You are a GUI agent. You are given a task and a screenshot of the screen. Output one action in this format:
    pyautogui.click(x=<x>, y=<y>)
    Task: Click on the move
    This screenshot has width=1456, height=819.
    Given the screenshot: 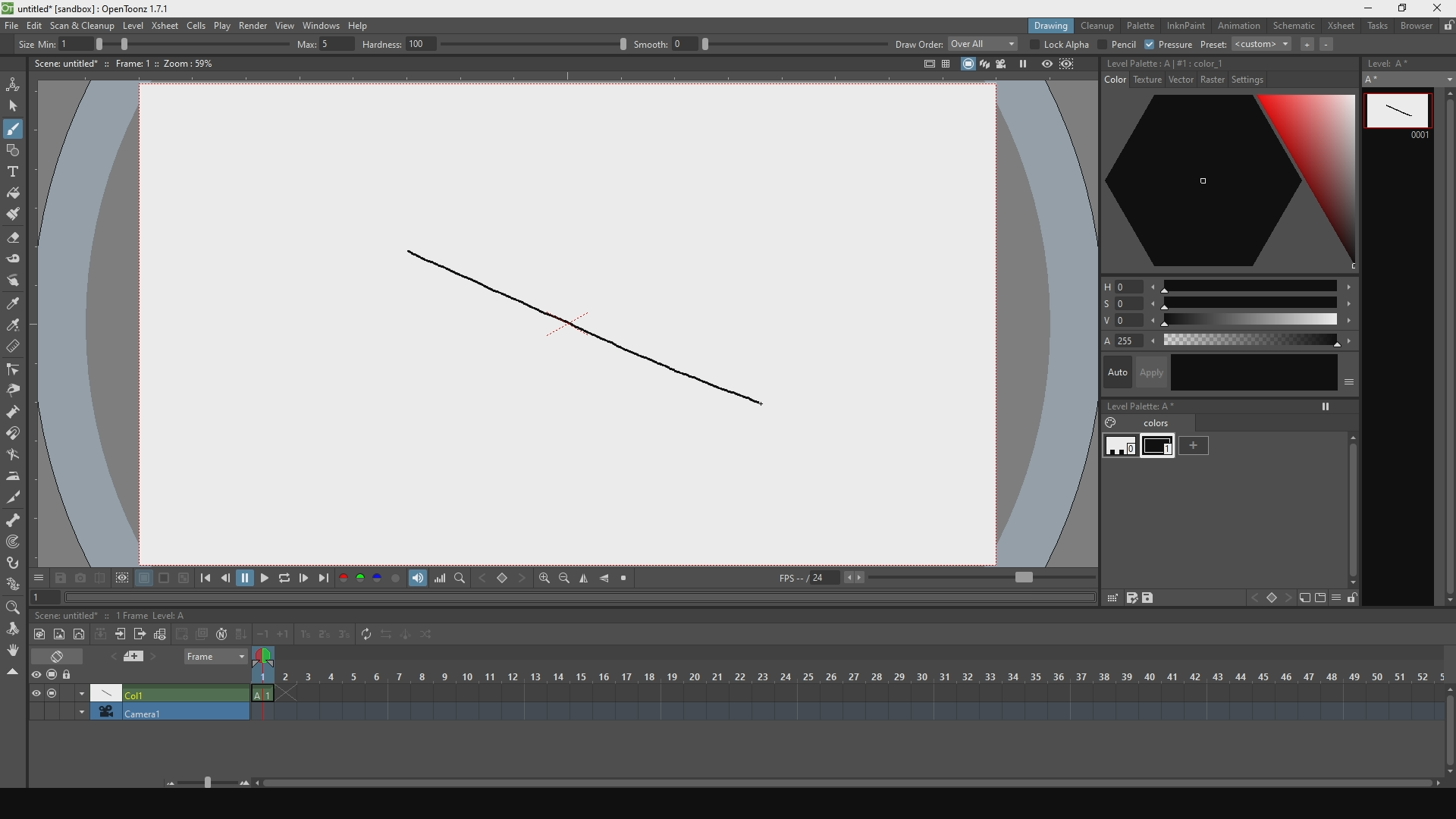 What is the action you would take?
    pyautogui.click(x=14, y=629)
    